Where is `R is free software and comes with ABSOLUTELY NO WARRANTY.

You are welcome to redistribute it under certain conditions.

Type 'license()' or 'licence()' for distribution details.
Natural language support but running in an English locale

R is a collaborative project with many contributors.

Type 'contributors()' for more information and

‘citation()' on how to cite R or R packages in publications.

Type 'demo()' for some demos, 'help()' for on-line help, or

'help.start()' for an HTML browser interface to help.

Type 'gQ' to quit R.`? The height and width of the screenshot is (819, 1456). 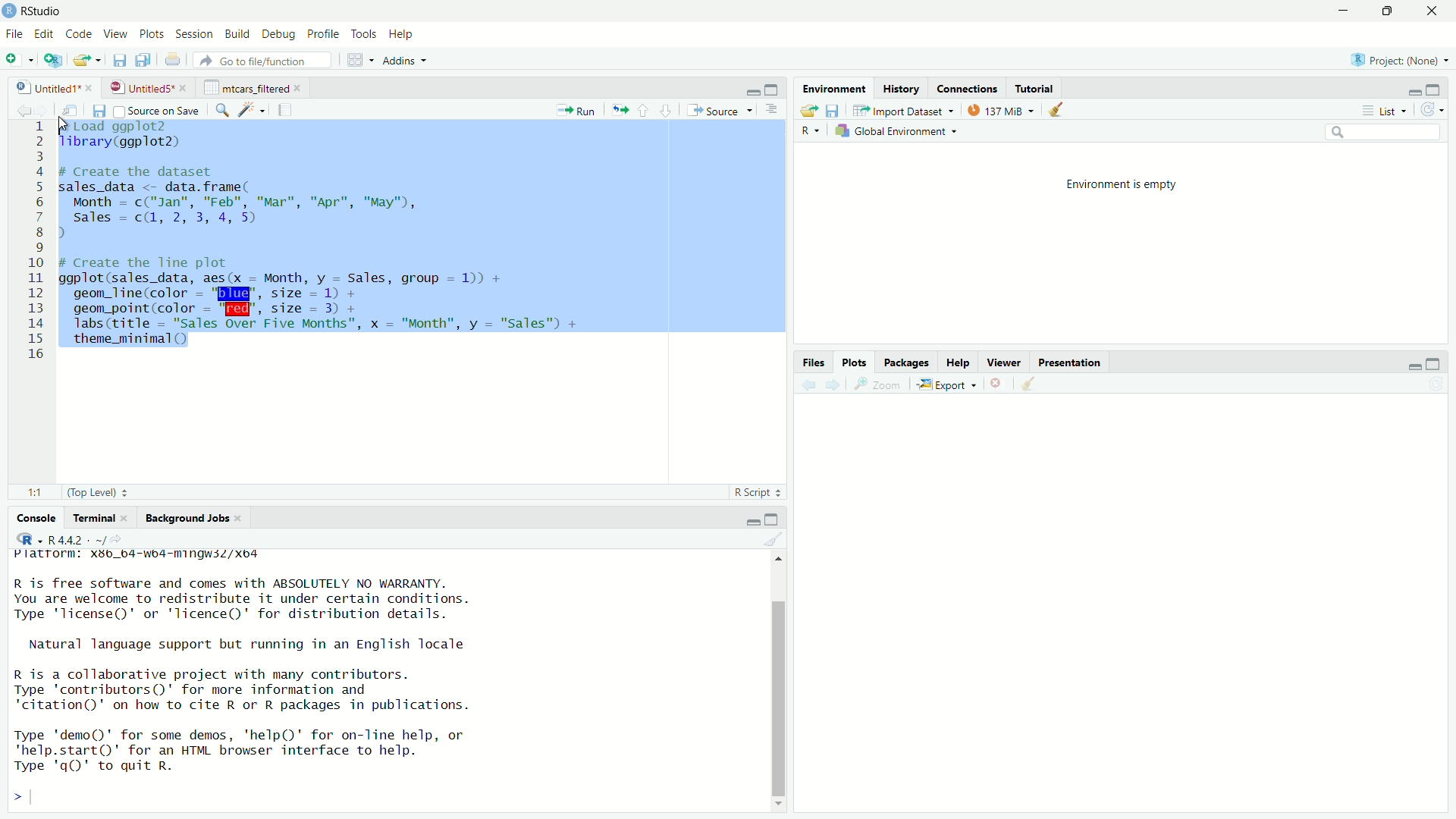 R is free software and comes with ABSOLUTELY NO WARRANTY.

You are welcome to redistribute it under certain conditions.

Type 'license()' or 'licence()' for distribution details.
Natural language support but running in an English locale

R is a collaborative project with many contributors.

Type 'contributors()' for more information and

‘citation()' on how to cite R or R packages in publications.

Type 'demo()' for some demos, 'help()' for on-line help, or

'help.start()' for an HTML browser interface to help.

Type 'gQ' to quit R. is located at coordinates (245, 678).